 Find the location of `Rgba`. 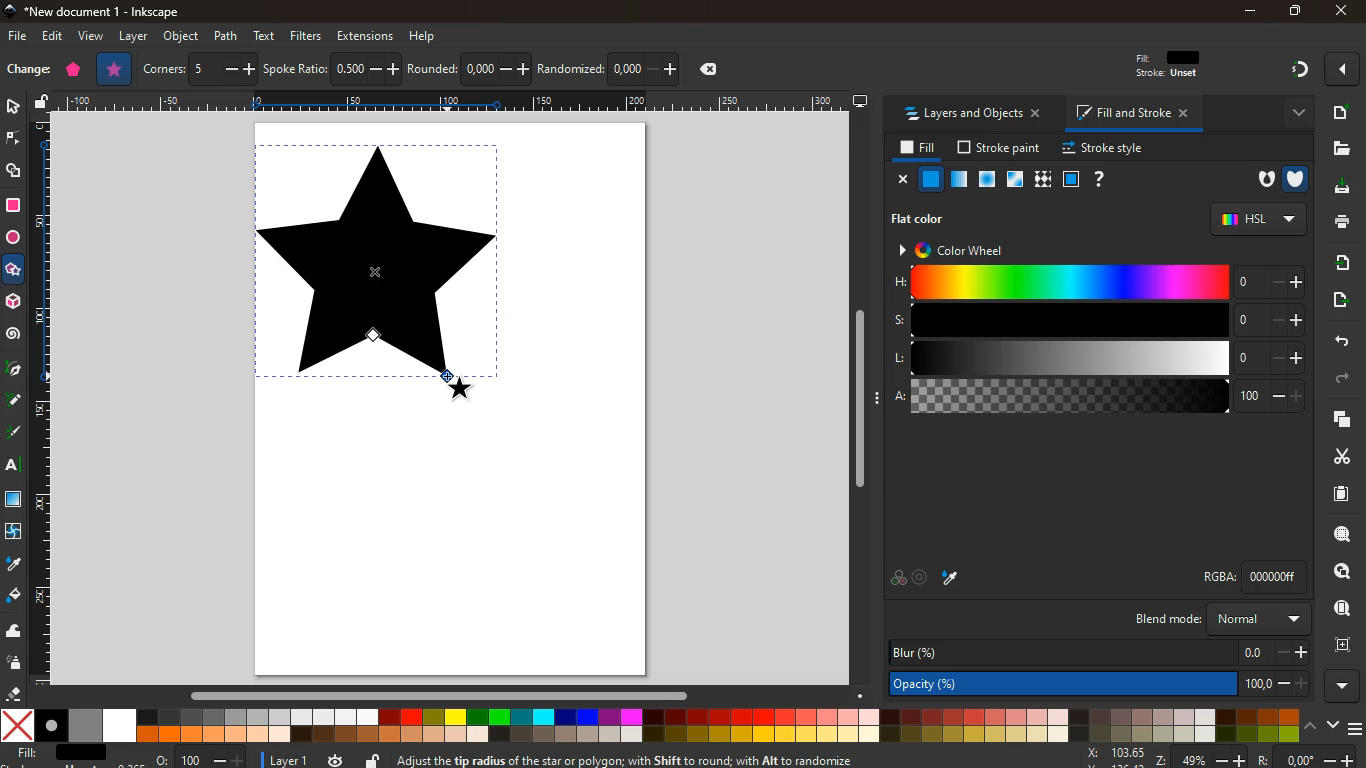

Rgba is located at coordinates (1246, 575).